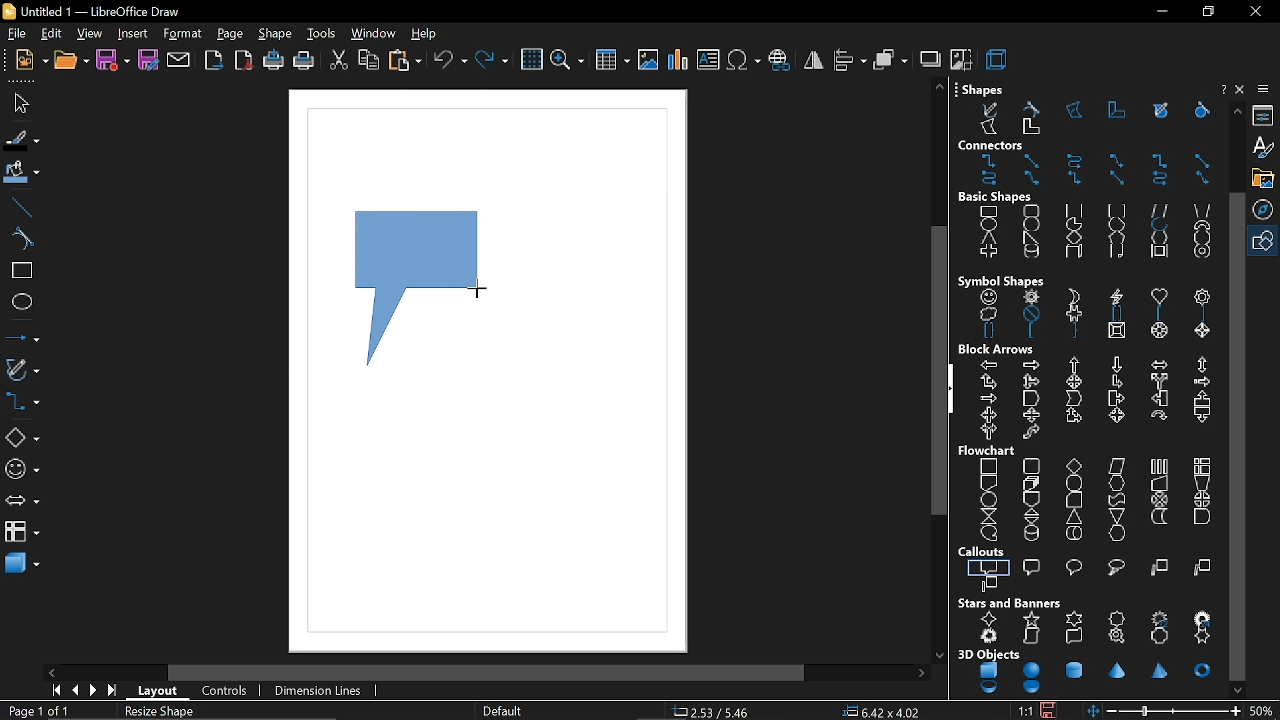 Image resolution: width=1280 pixels, height=720 pixels. I want to click on callout, so click(409, 289).